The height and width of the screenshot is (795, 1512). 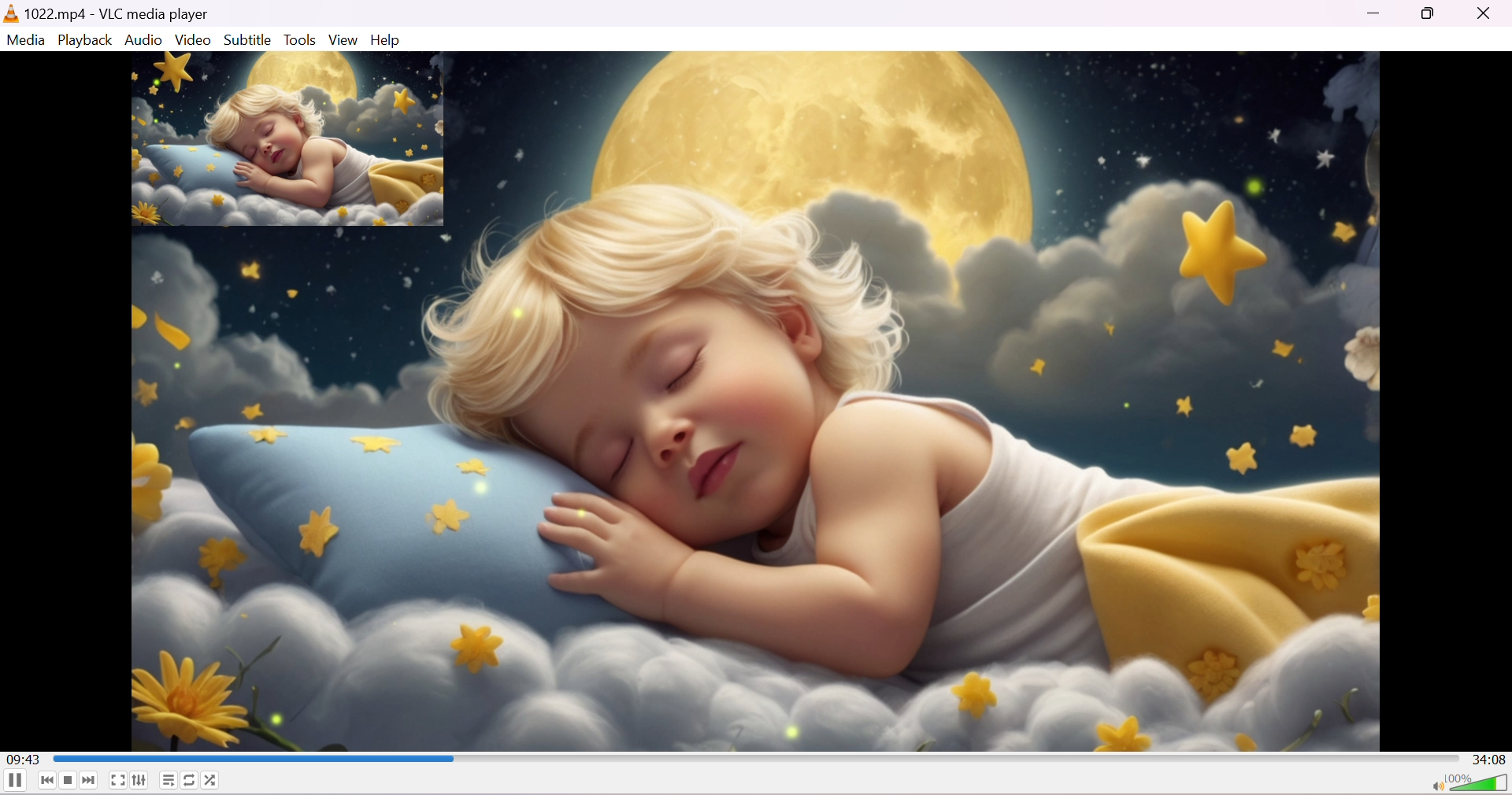 What do you see at coordinates (45, 782) in the screenshot?
I see `Previous media in the playlist, skip backward when held` at bounding box center [45, 782].